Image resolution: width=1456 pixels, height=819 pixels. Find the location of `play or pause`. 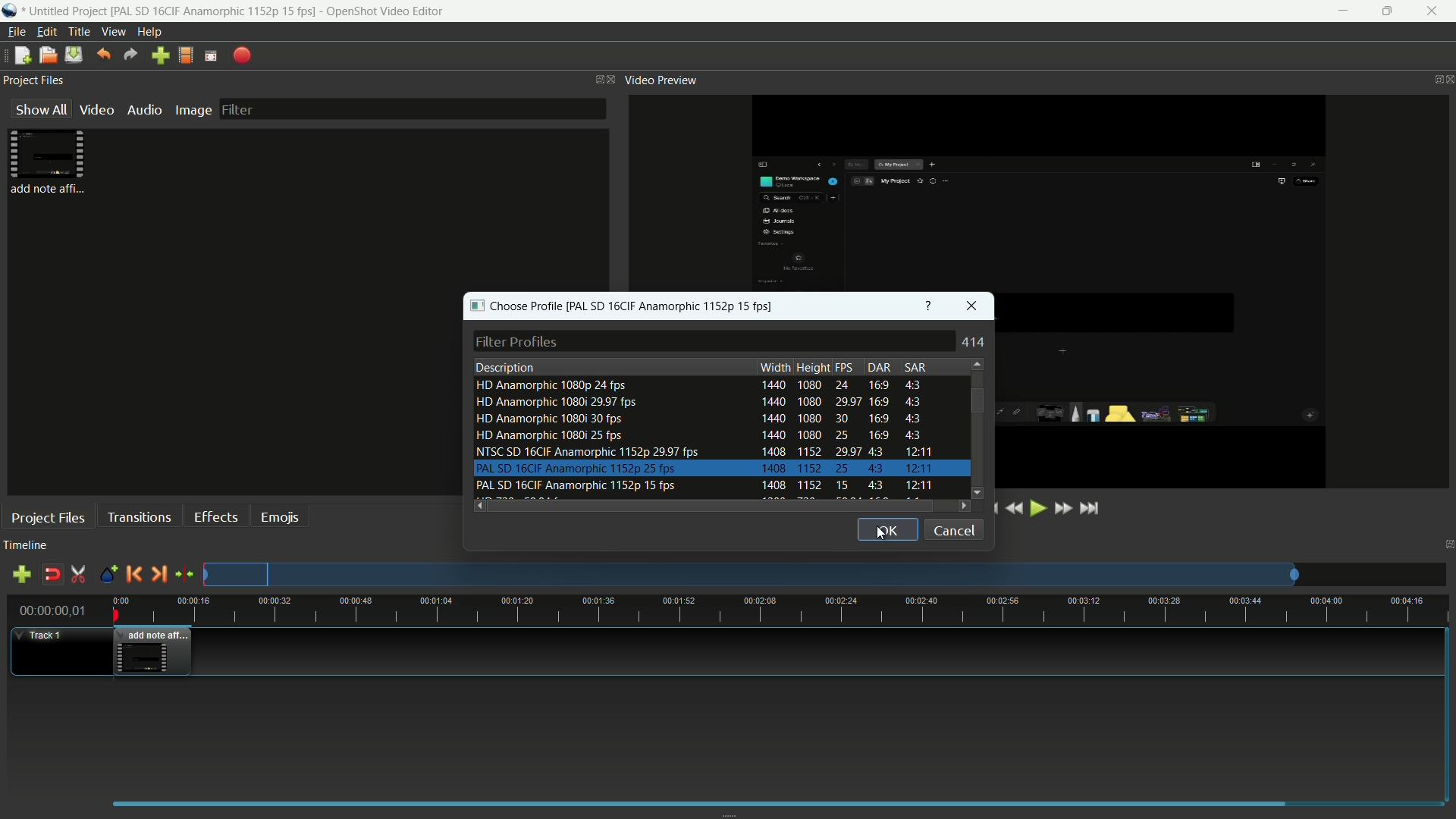

play or pause is located at coordinates (1037, 508).